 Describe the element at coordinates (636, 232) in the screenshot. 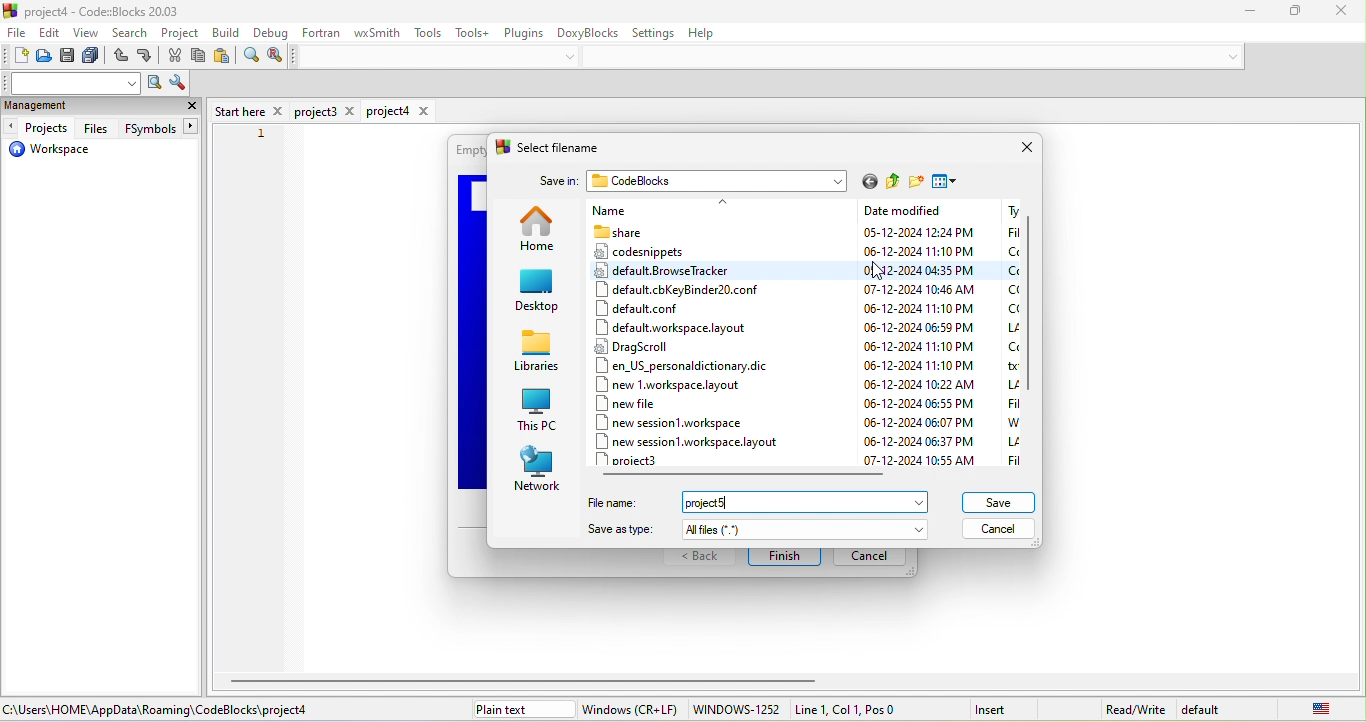

I see `share` at that location.